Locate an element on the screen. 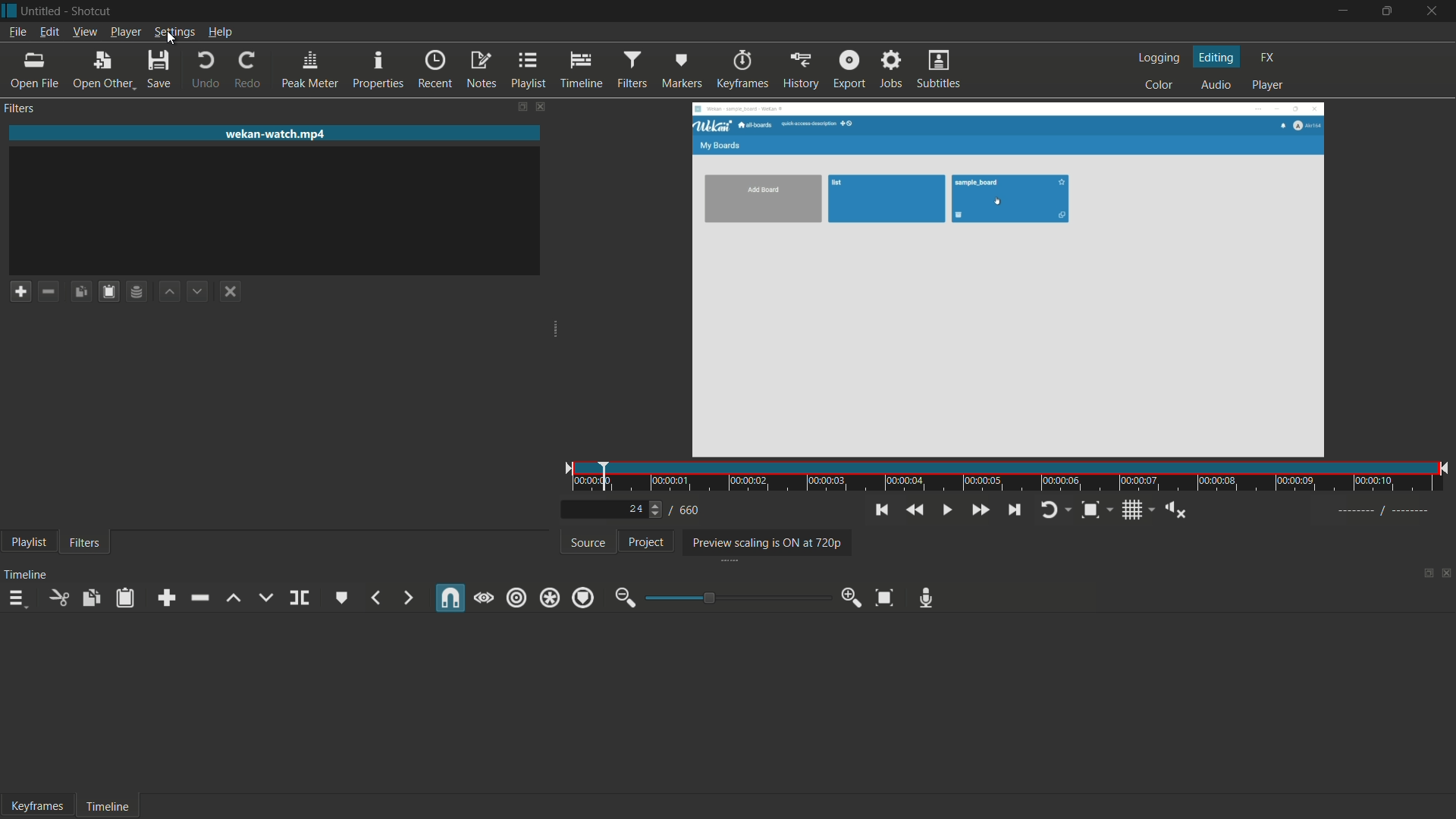 This screenshot has height=819, width=1456. record audio is located at coordinates (926, 599).